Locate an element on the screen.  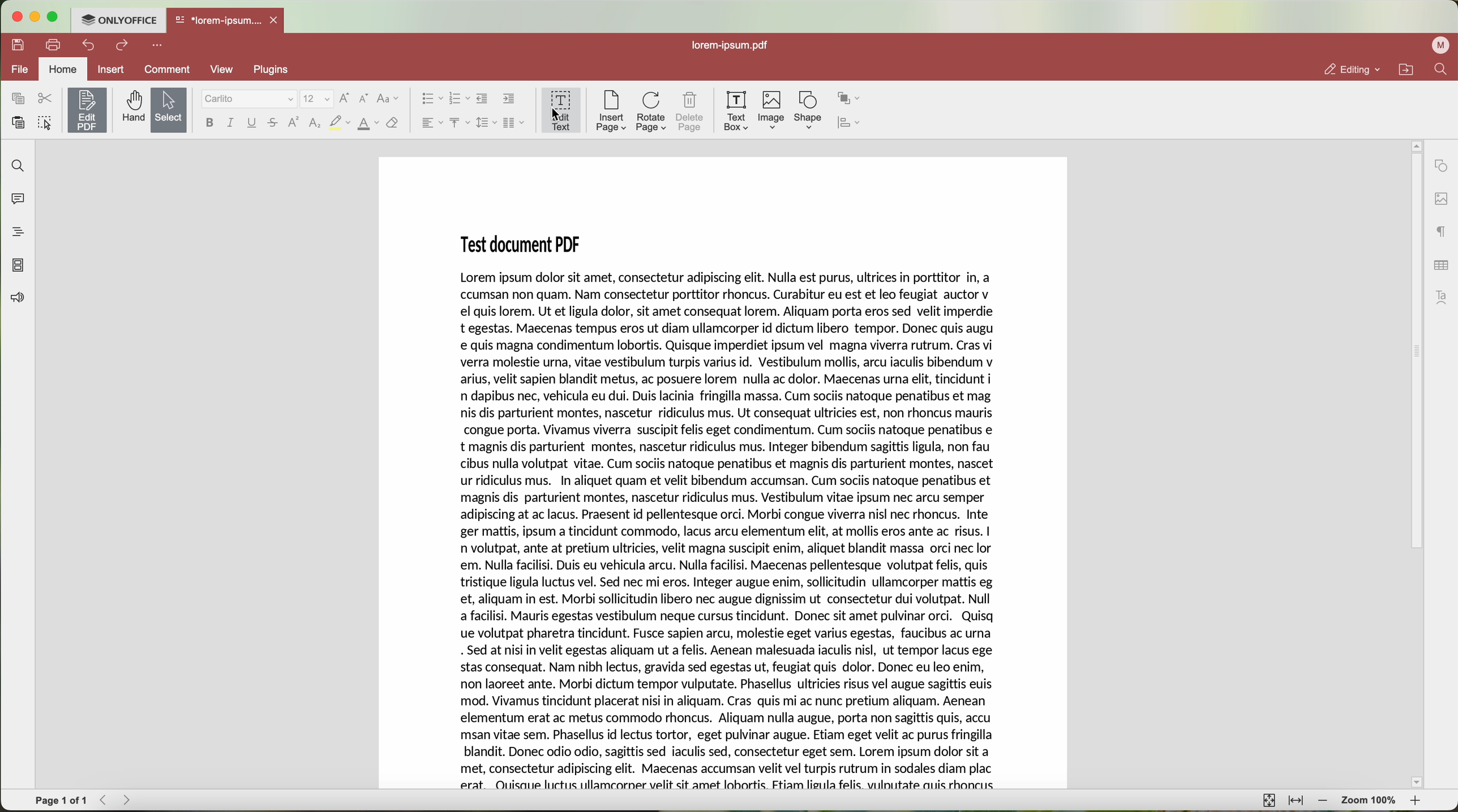
maximize is located at coordinates (55, 17).